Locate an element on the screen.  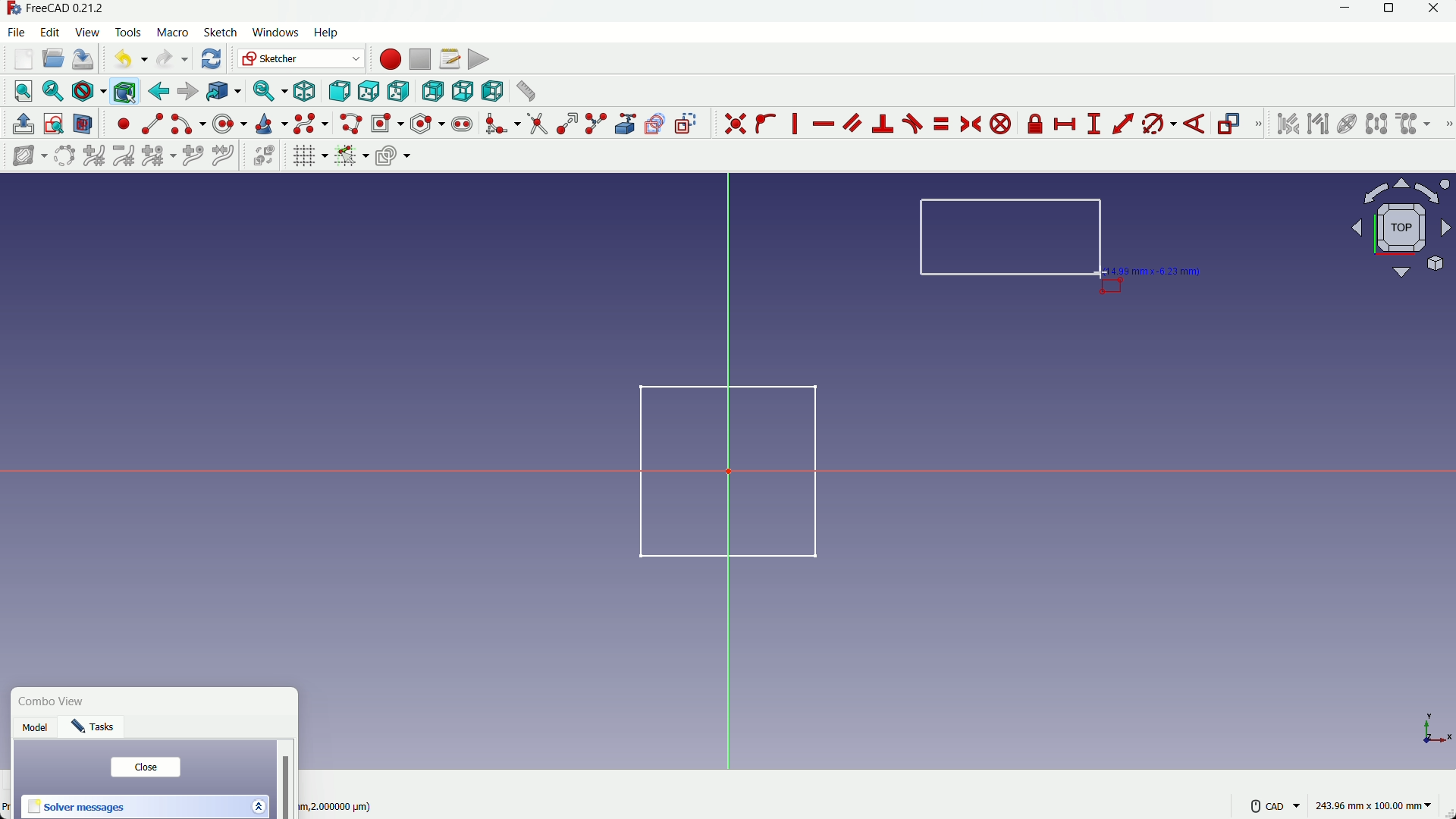
view menu is located at coordinates (89, 33).